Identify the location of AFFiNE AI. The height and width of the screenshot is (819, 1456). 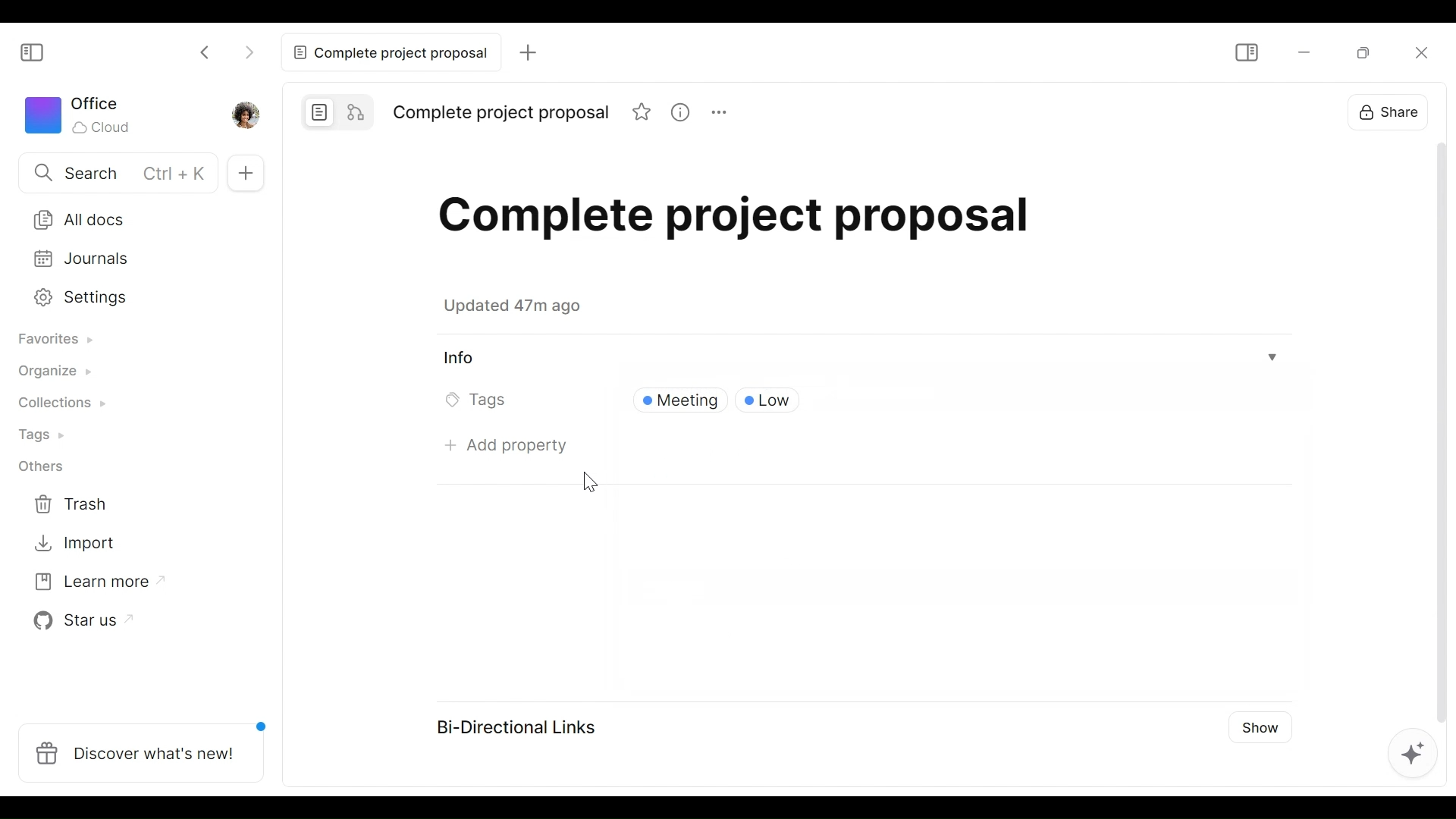
(1409, 751).